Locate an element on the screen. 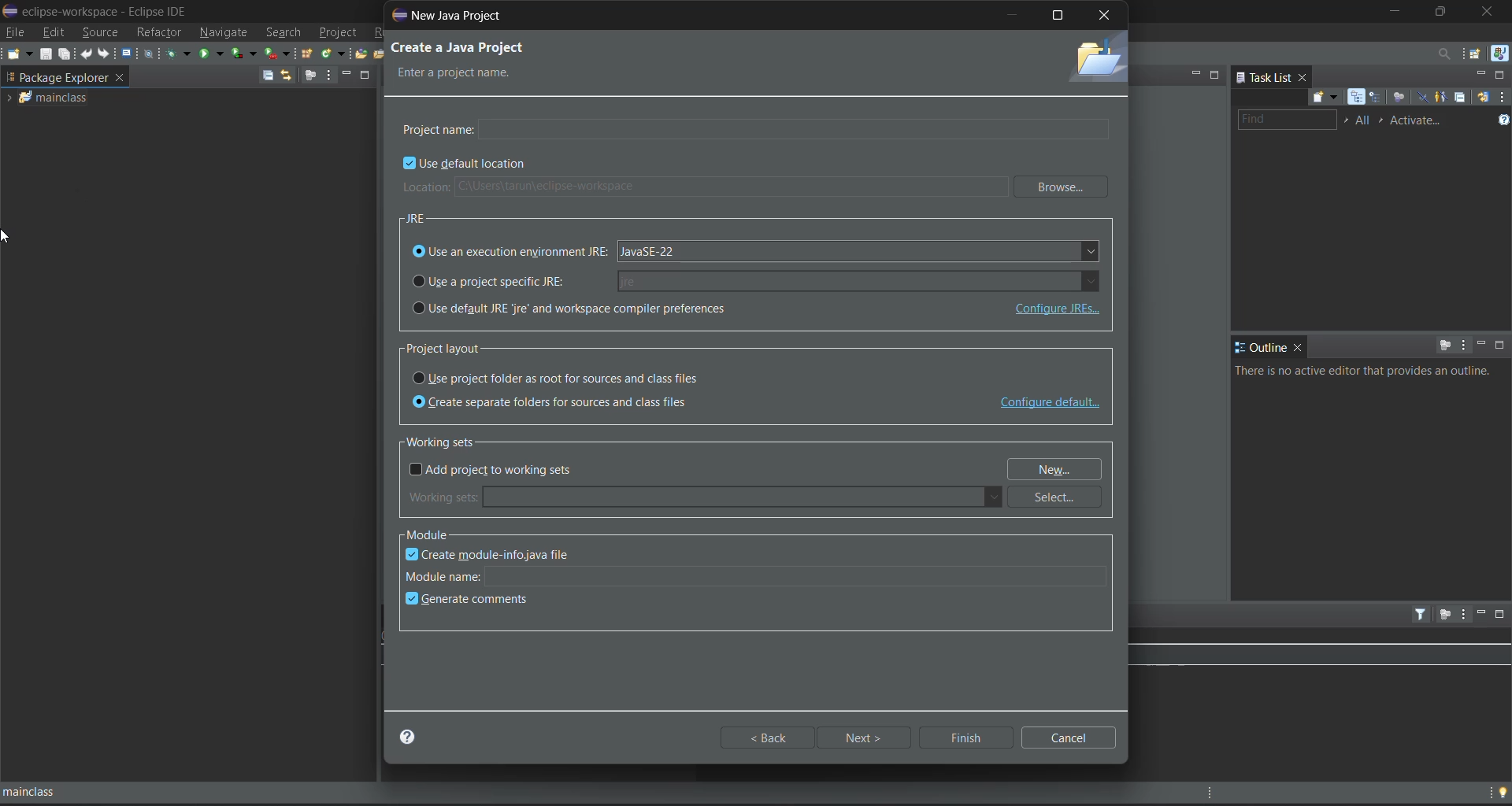 The image size is (1512, 806). file is located at coordinates (16, 31).